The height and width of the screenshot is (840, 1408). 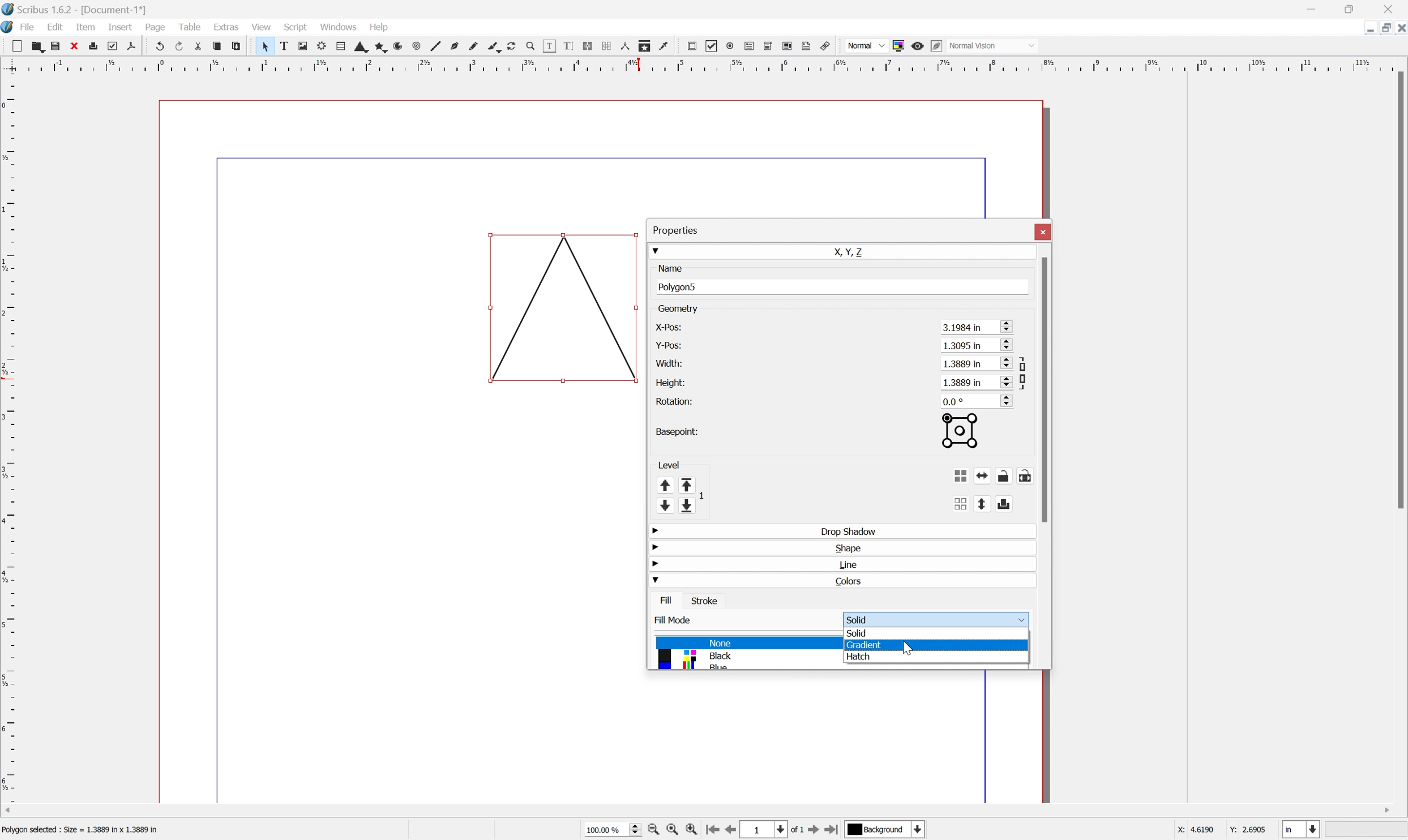 What do you see at coordinates (814, 830) in the screenshot?
I see `Go to next page` at bounding box center [814, 830].